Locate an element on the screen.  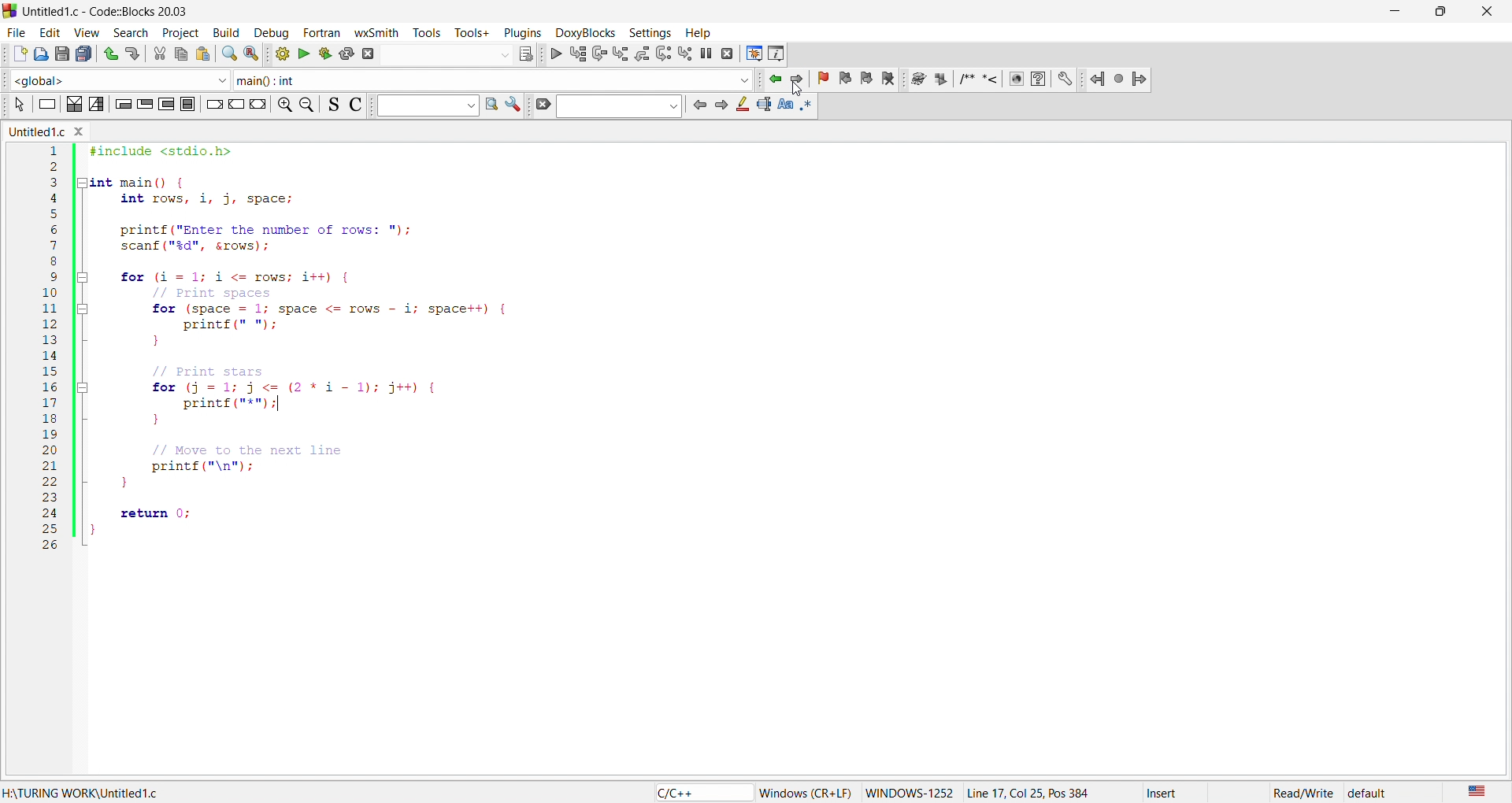
icon is located at coordinates (163, 105).